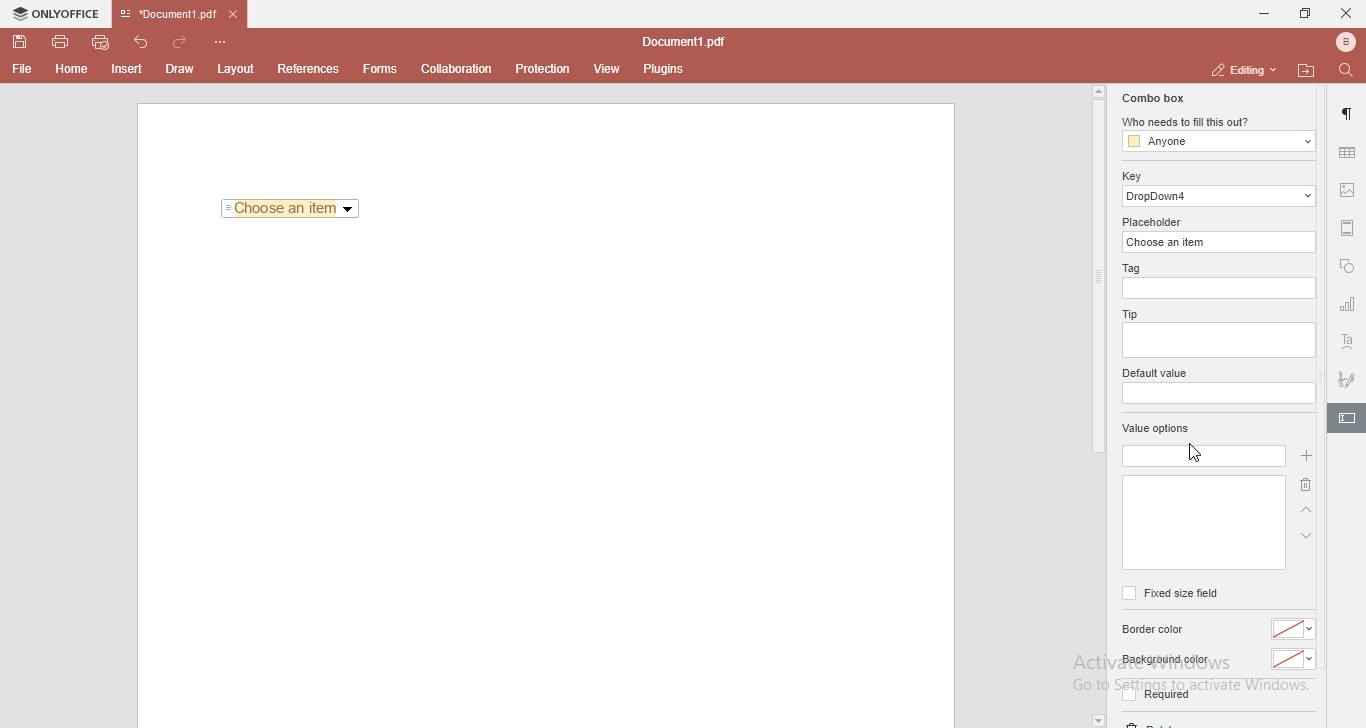 The height and width of the screenshot is (728, 1366). I want to click on chart, so click(1348, 308).